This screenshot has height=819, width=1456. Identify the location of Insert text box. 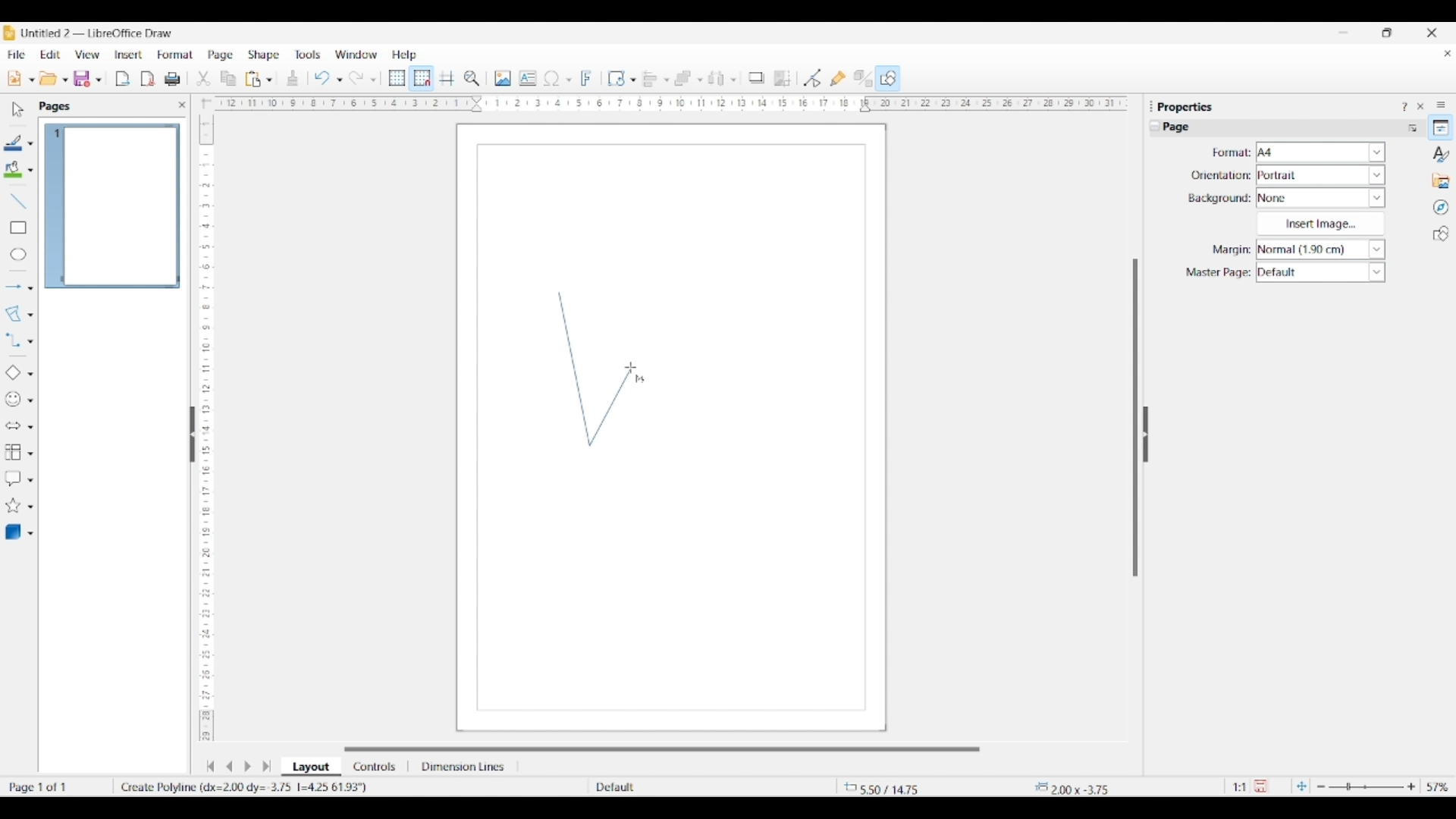
(528, 78).